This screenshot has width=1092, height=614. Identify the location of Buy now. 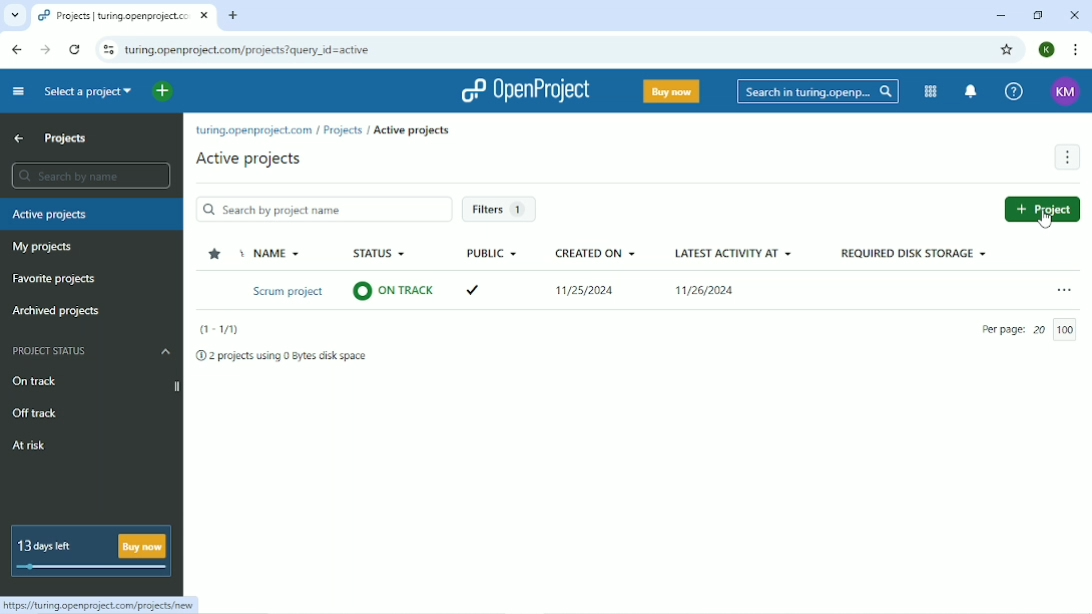
(670, 93).